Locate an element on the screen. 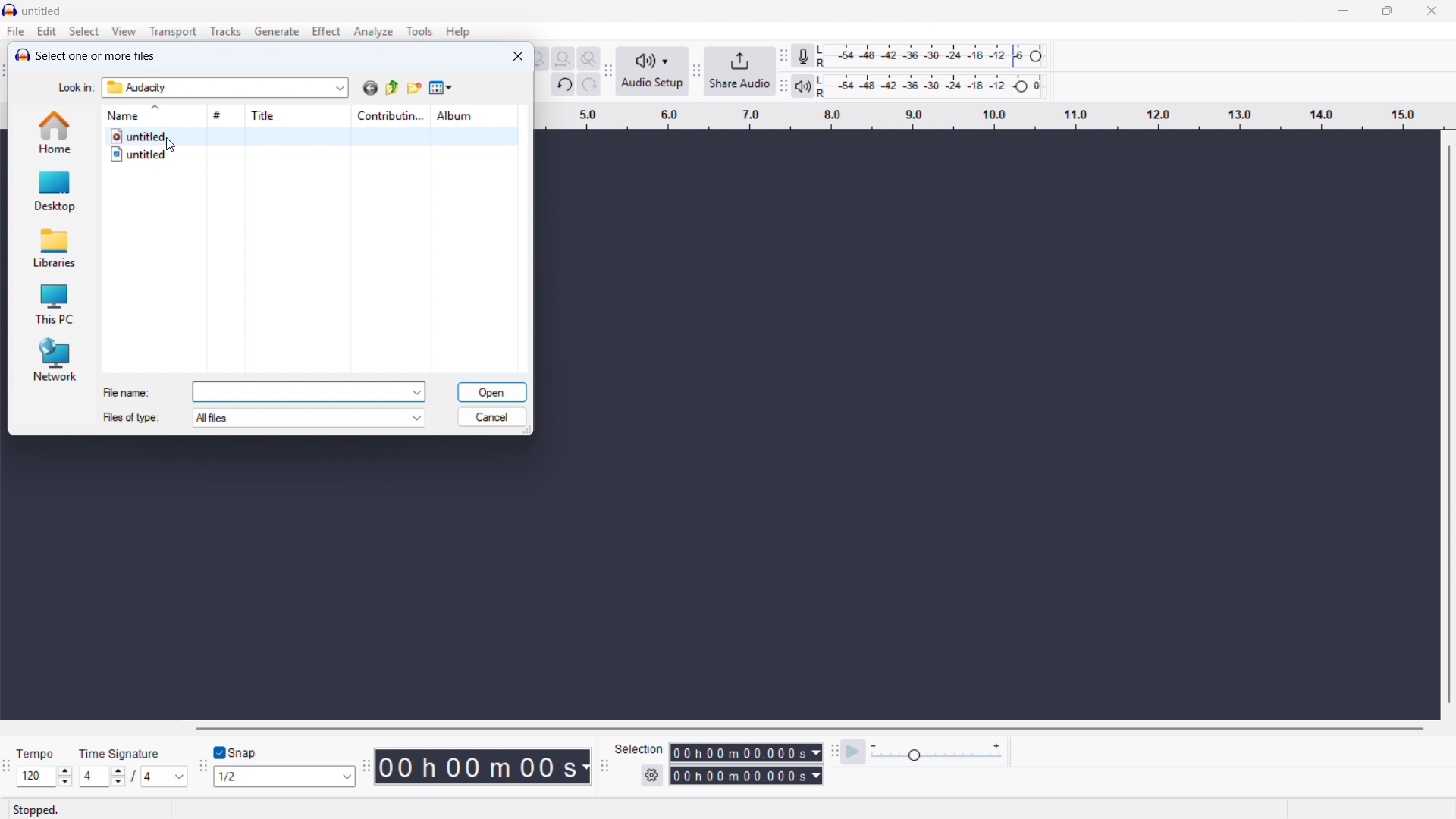  Toggle snap  is located at coordinates (236, 752).